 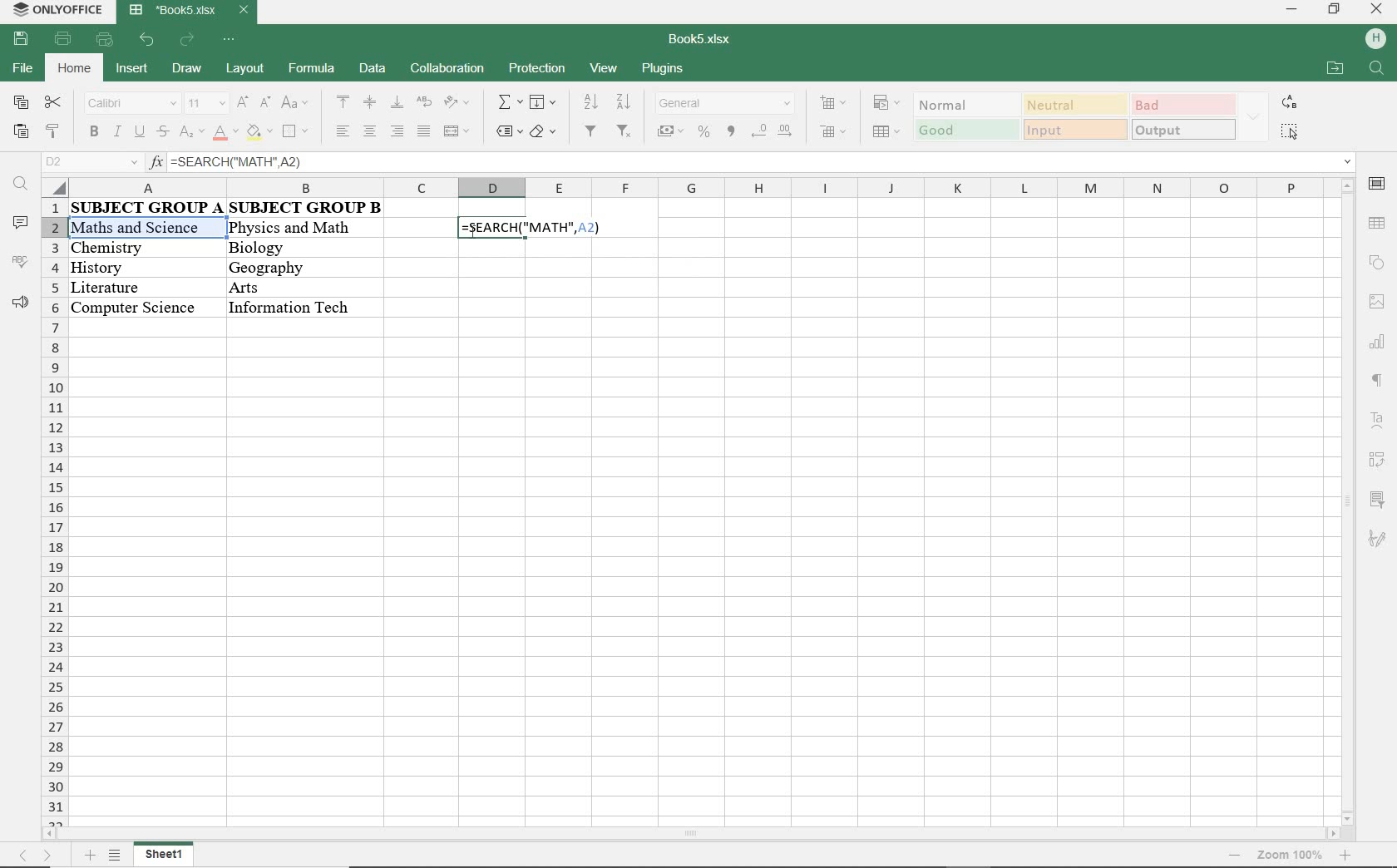 I want to click on comma style, so click(x=732, y=131).